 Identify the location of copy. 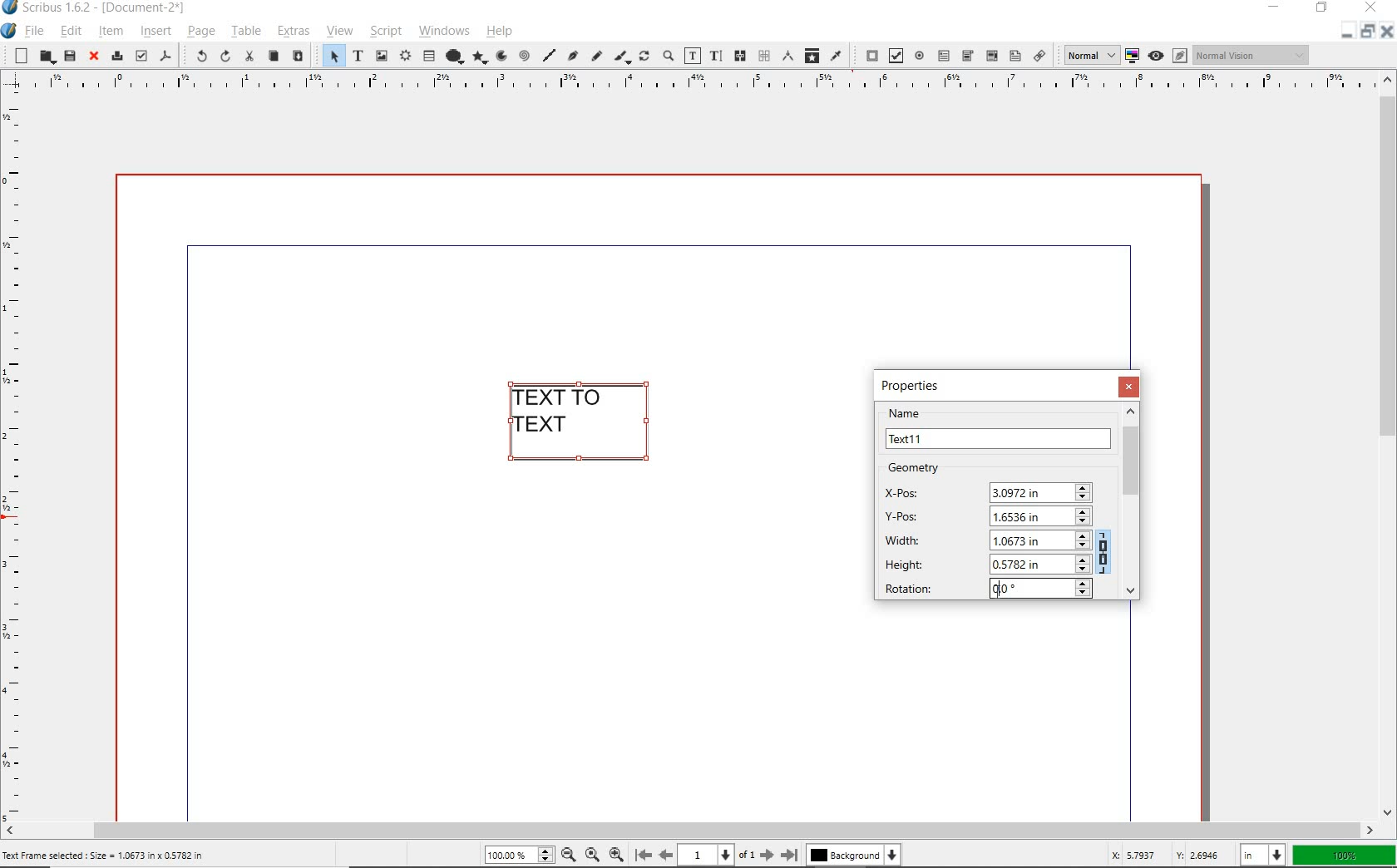
(274, 57).